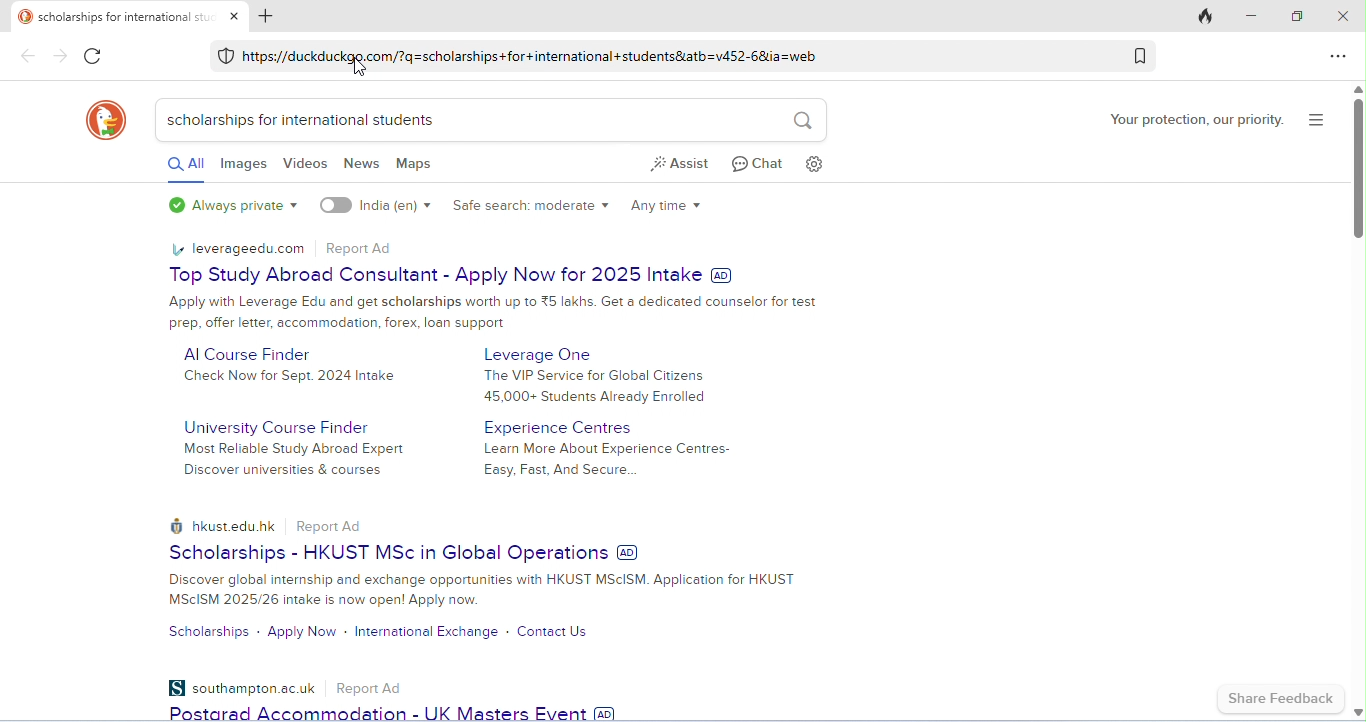  I want to click on vertical scroll bar, so click(1357, 402).